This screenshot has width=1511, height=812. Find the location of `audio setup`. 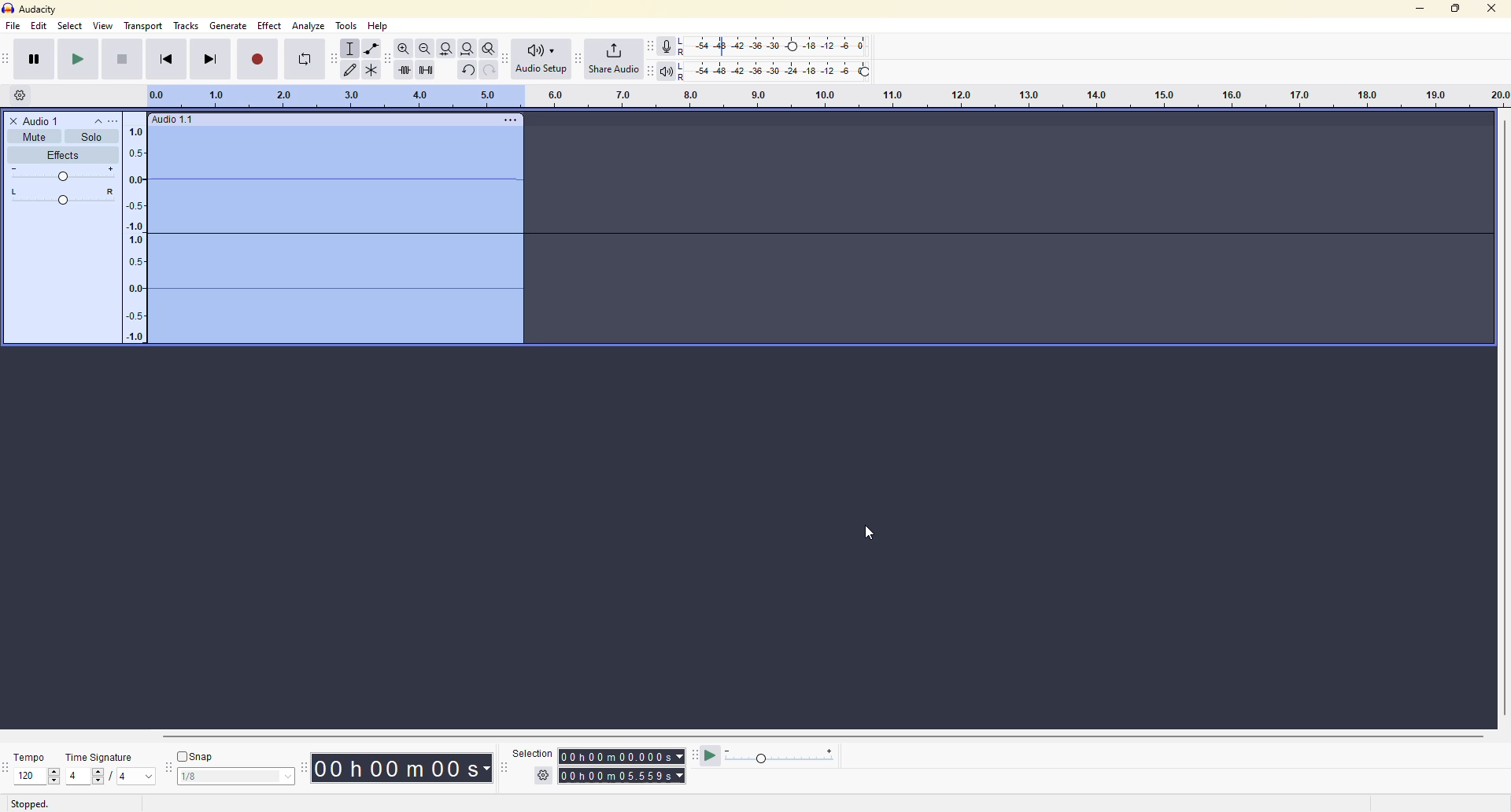

audio setup is located at coordinates (541, 58).